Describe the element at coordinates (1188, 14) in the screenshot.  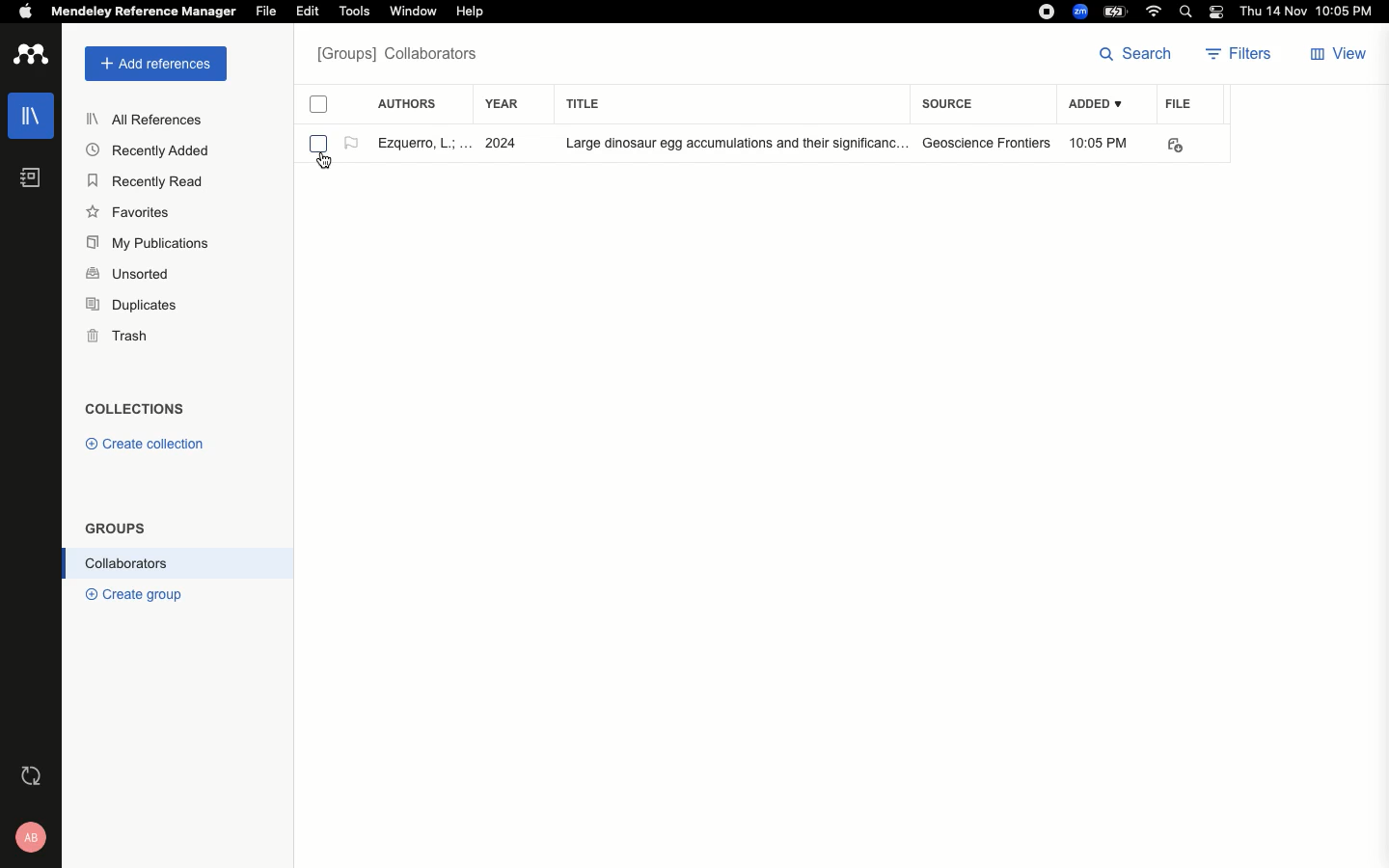
I see `Search` at that location.